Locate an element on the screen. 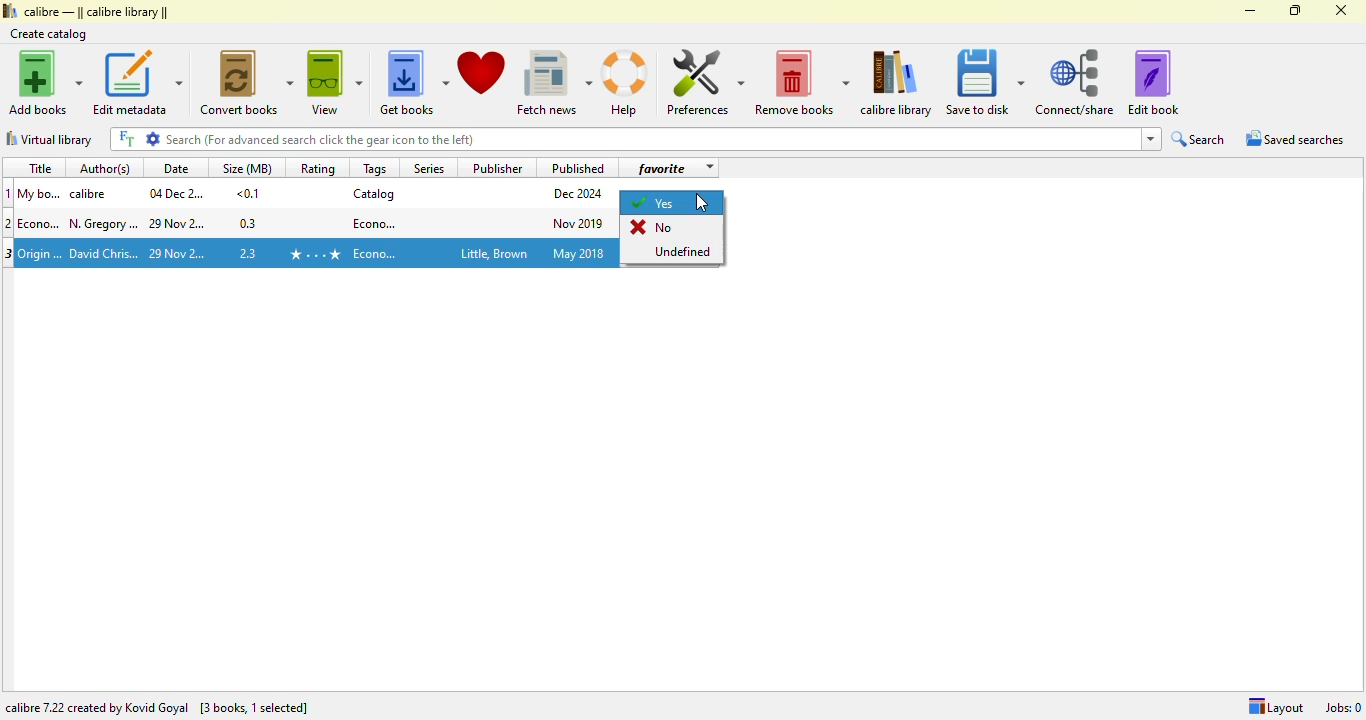 Image resolution: width=1366 pixels, height=720 pixels. save to disk is located at coordinates (985, 83).